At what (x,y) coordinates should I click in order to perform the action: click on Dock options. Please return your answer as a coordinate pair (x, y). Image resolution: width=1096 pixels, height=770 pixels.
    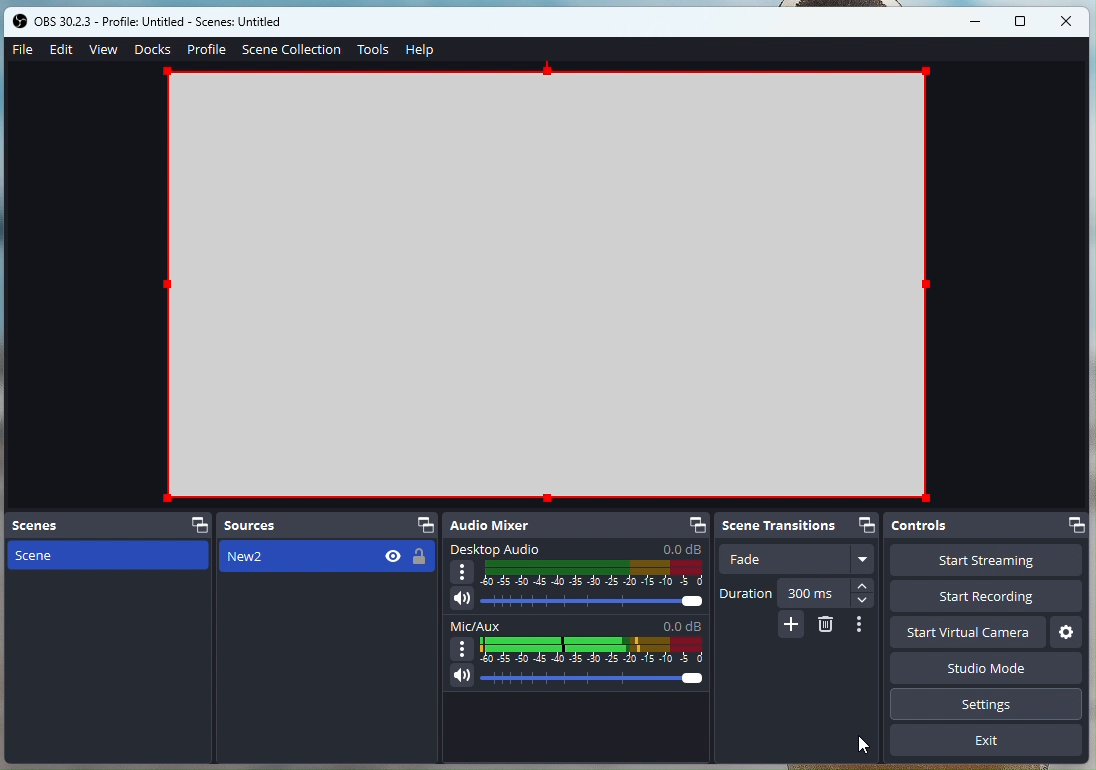
    Looking at the image, I should click on (1071, 526).